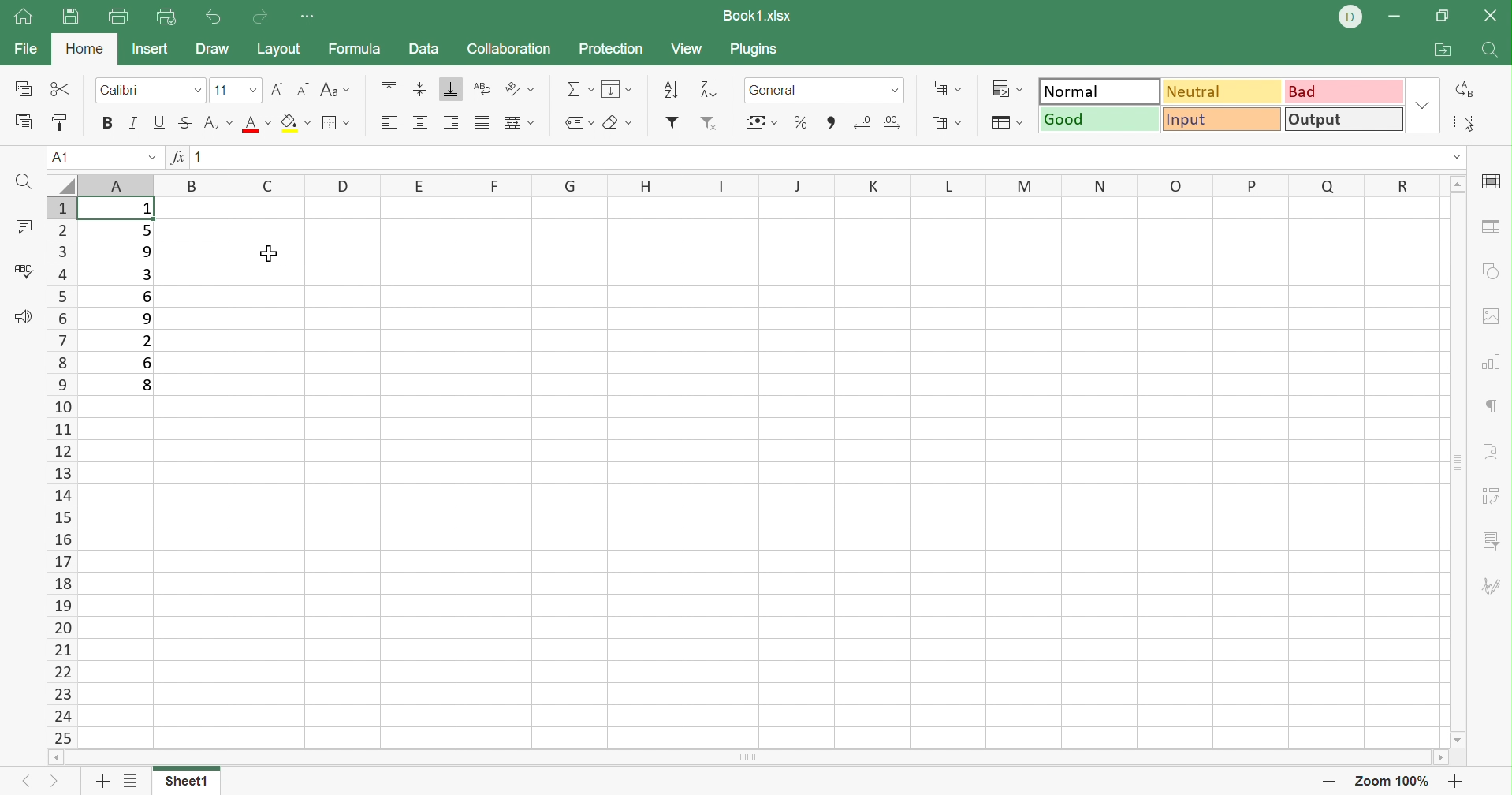 This screenshot has height=795, width=1512. What do you see at coordinates (143, 211) in the screenshot?
I see `1` at bounding box center [143, 211].